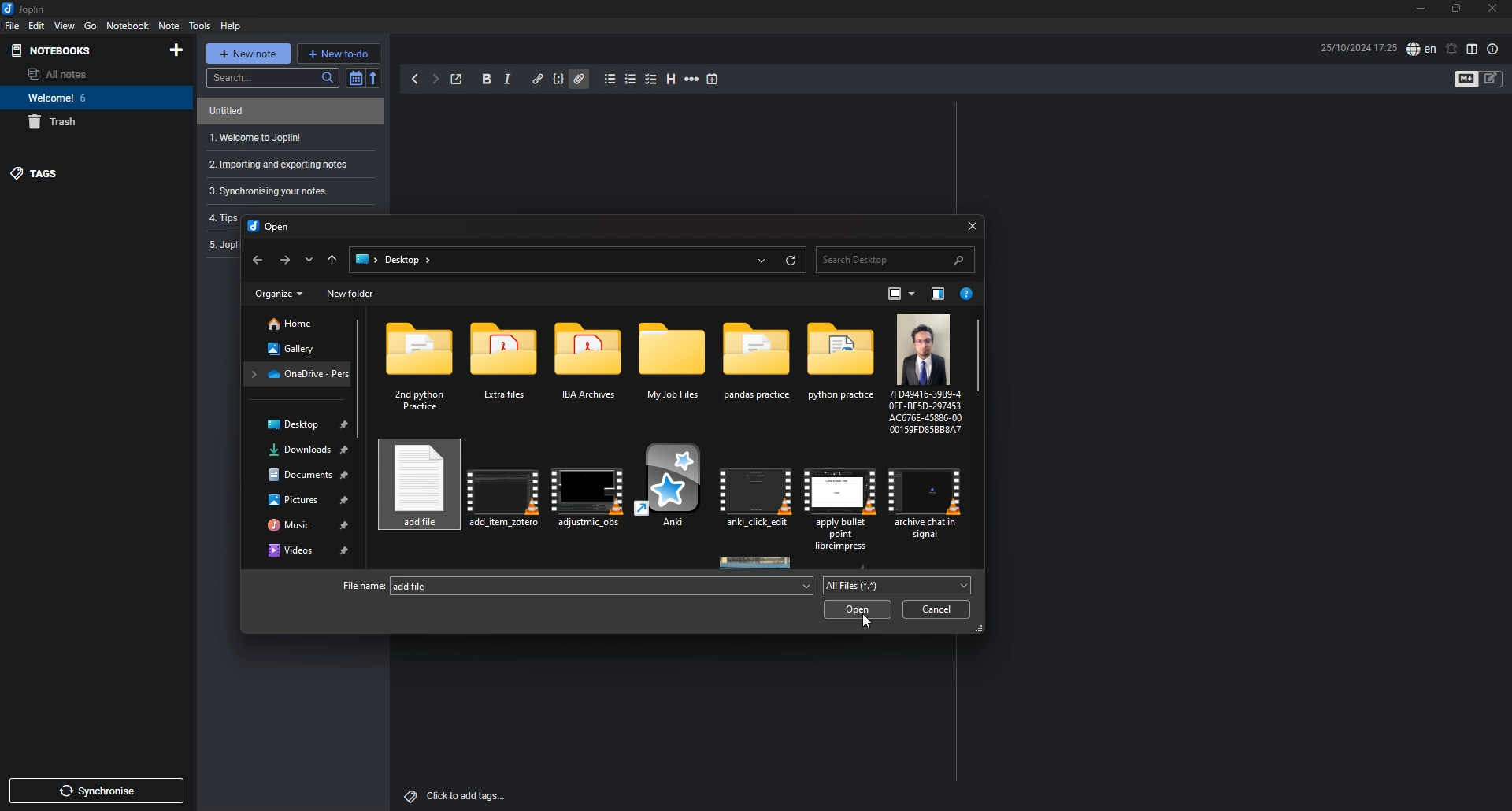 Image resolution: width=1512 pixels, height=811 pixels. Describe the element at coordinates (1474, 49) in the screenshot. I see `toggle editor layout` at that location.